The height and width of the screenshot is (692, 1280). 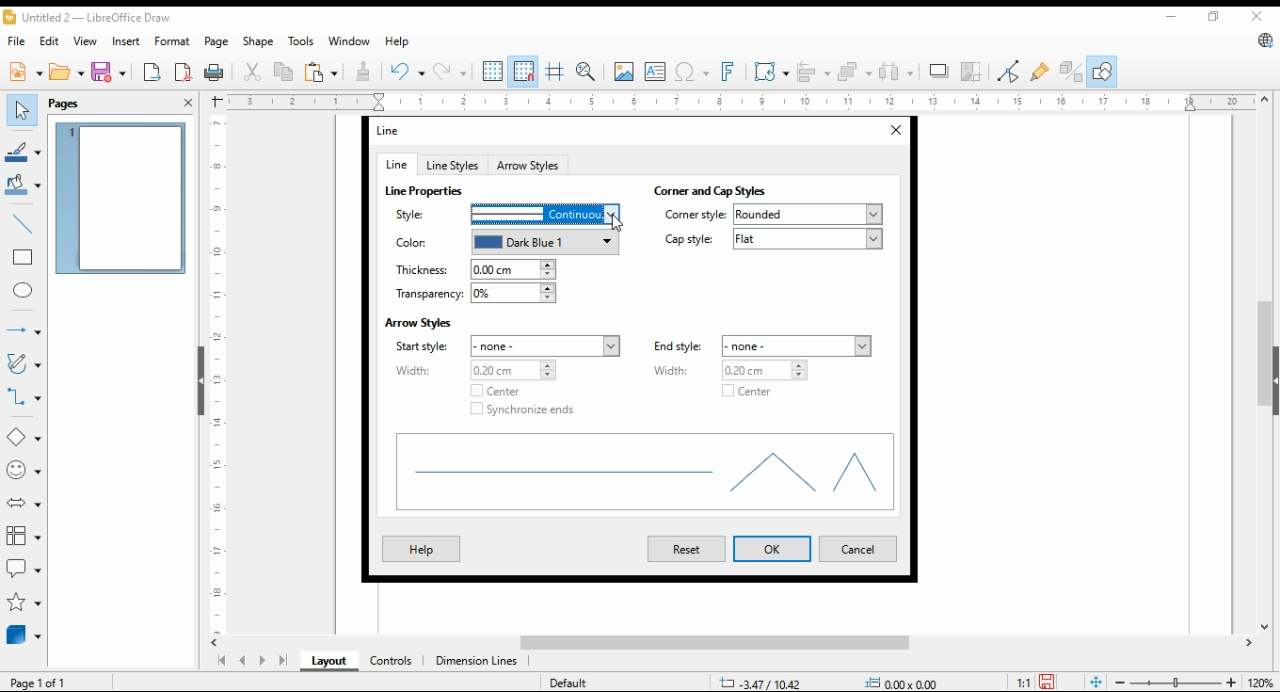 I want to click on page 1, so click(x=120, y=198).